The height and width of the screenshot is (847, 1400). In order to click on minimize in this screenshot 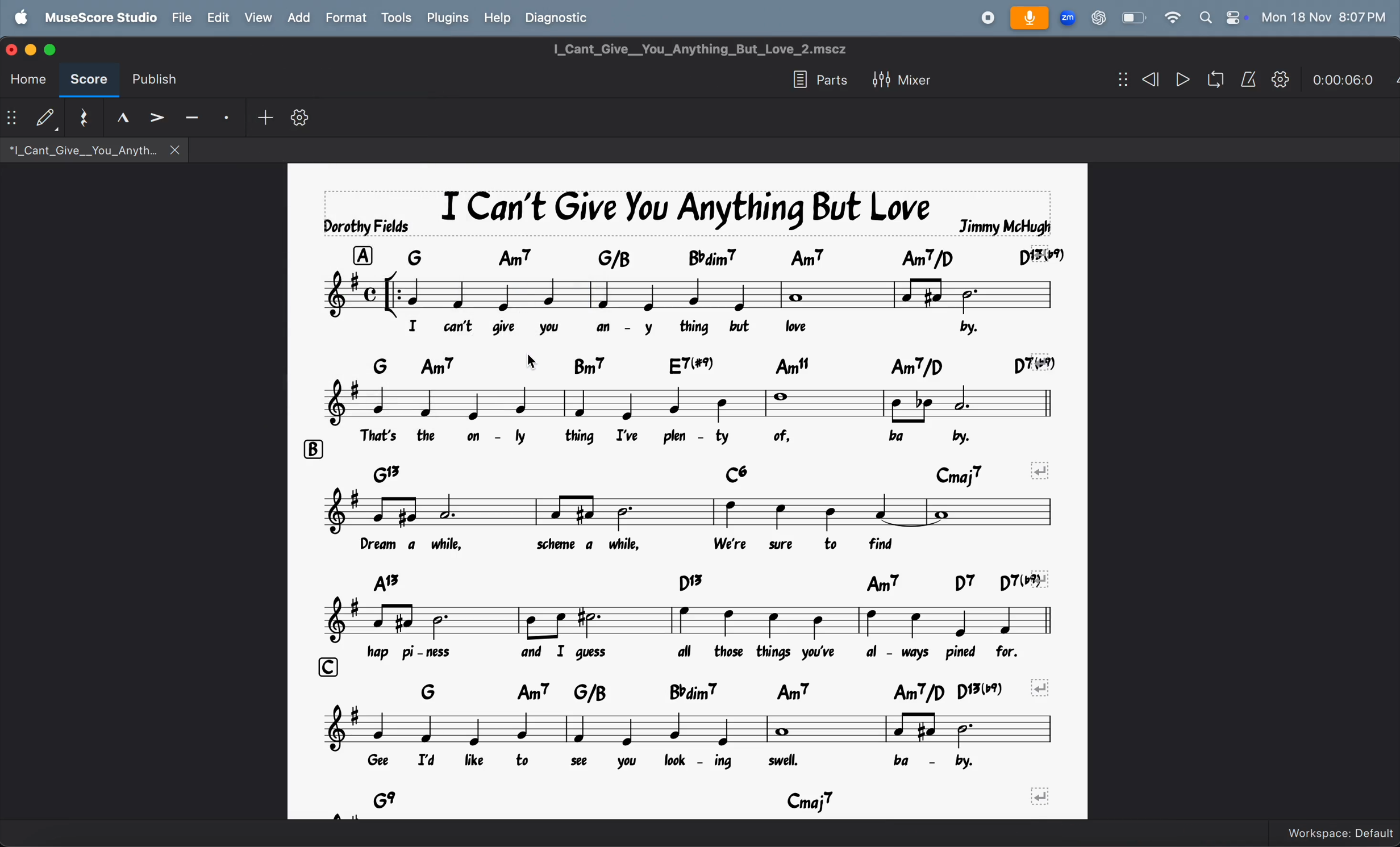, I will do `click(33, 49)`.